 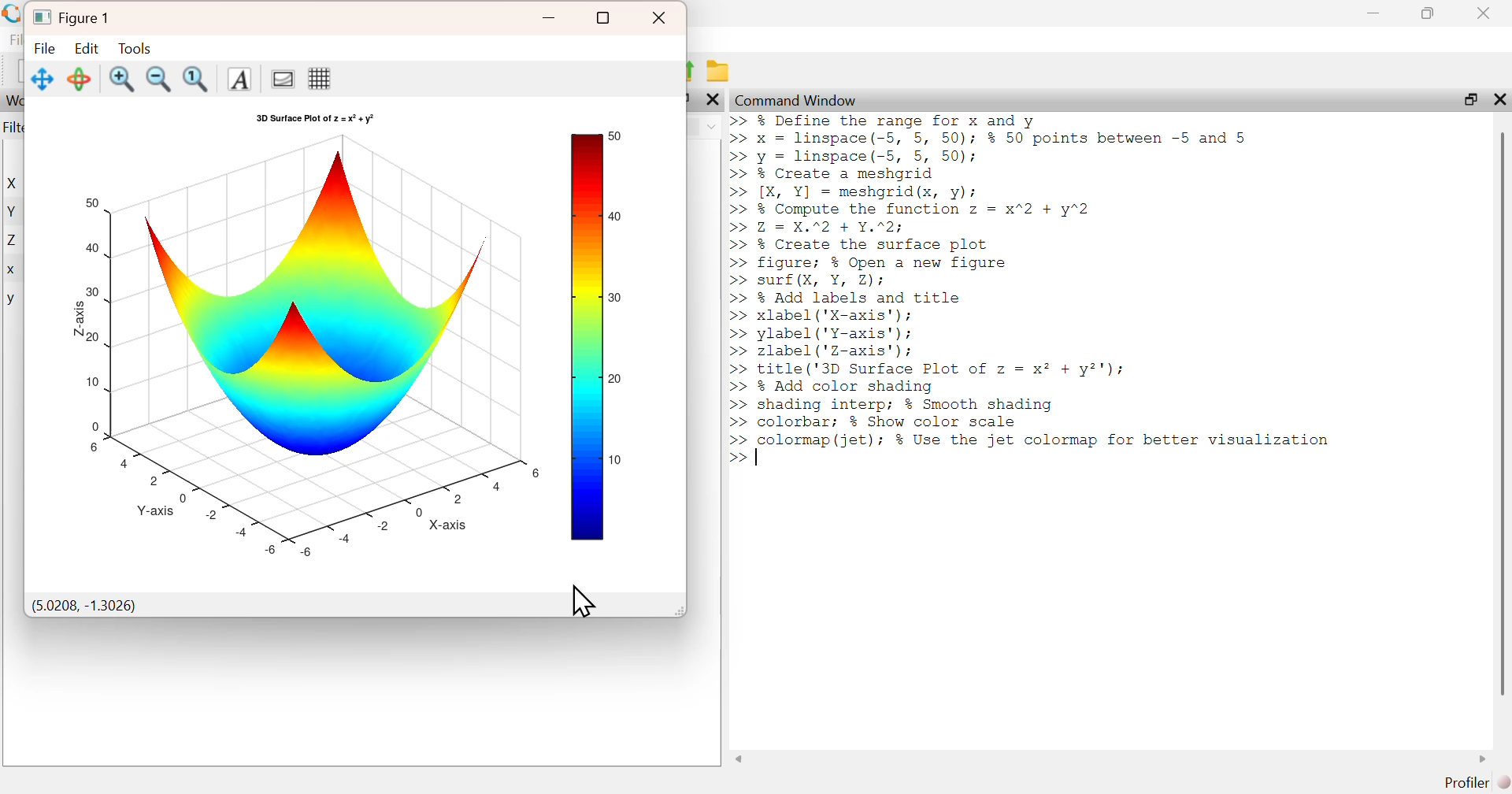 I want to click on scroll left, so click(x=739, y=759).